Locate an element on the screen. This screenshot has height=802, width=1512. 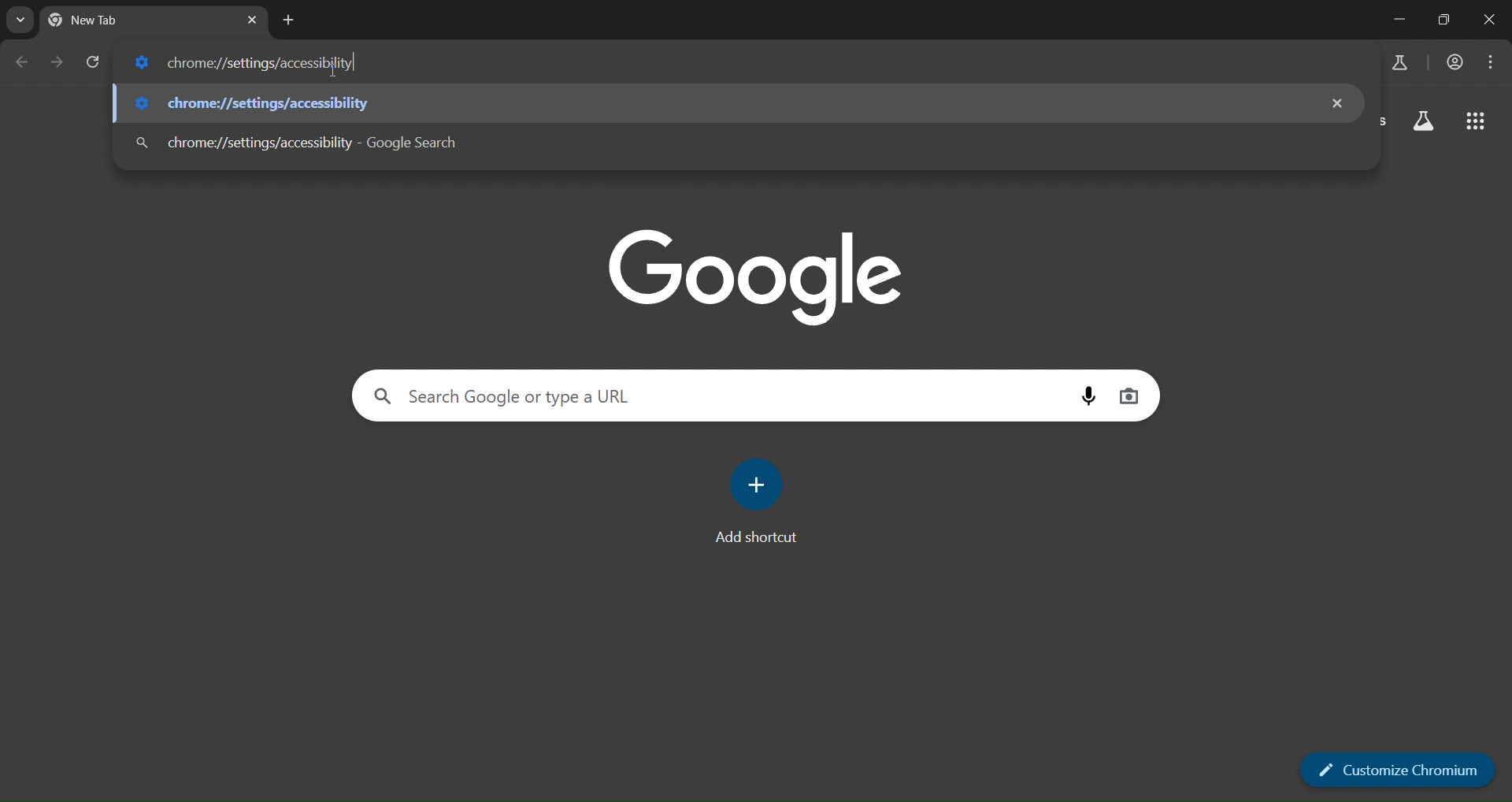
new tab is located at coordinates (288, 22).